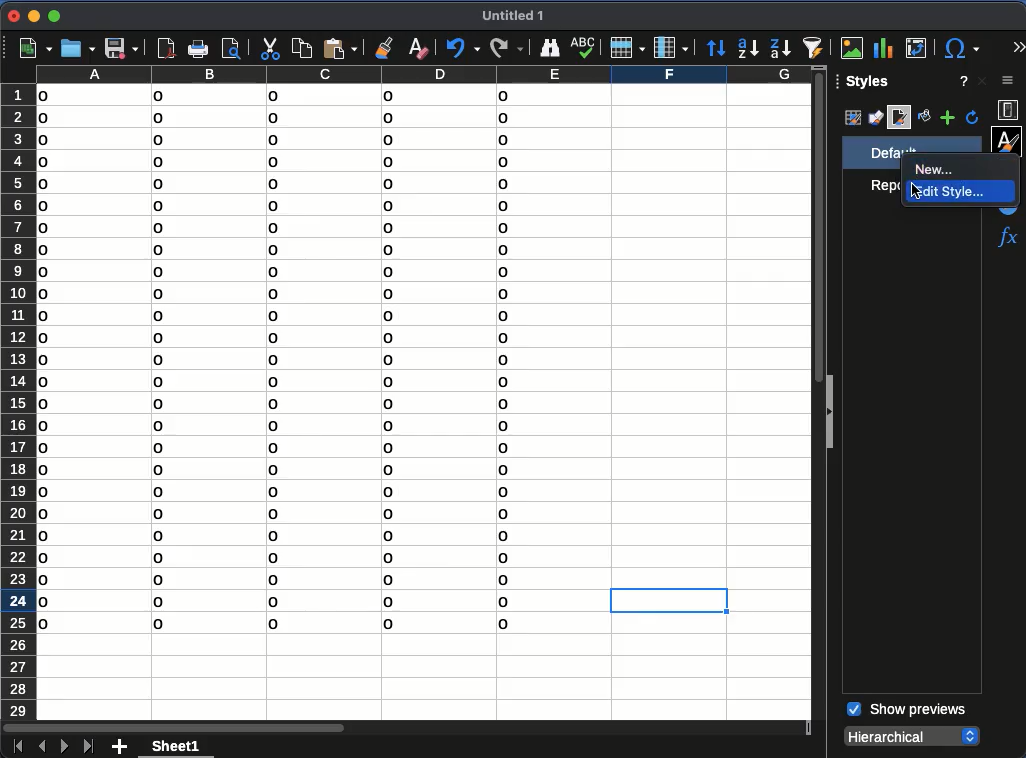 Image resolution: width=1026 pixels, height=758 pixels. What do you see at coordinates (876, 117) in the screenshot?
I see `drawing styles` at bounding box center [876, 117].